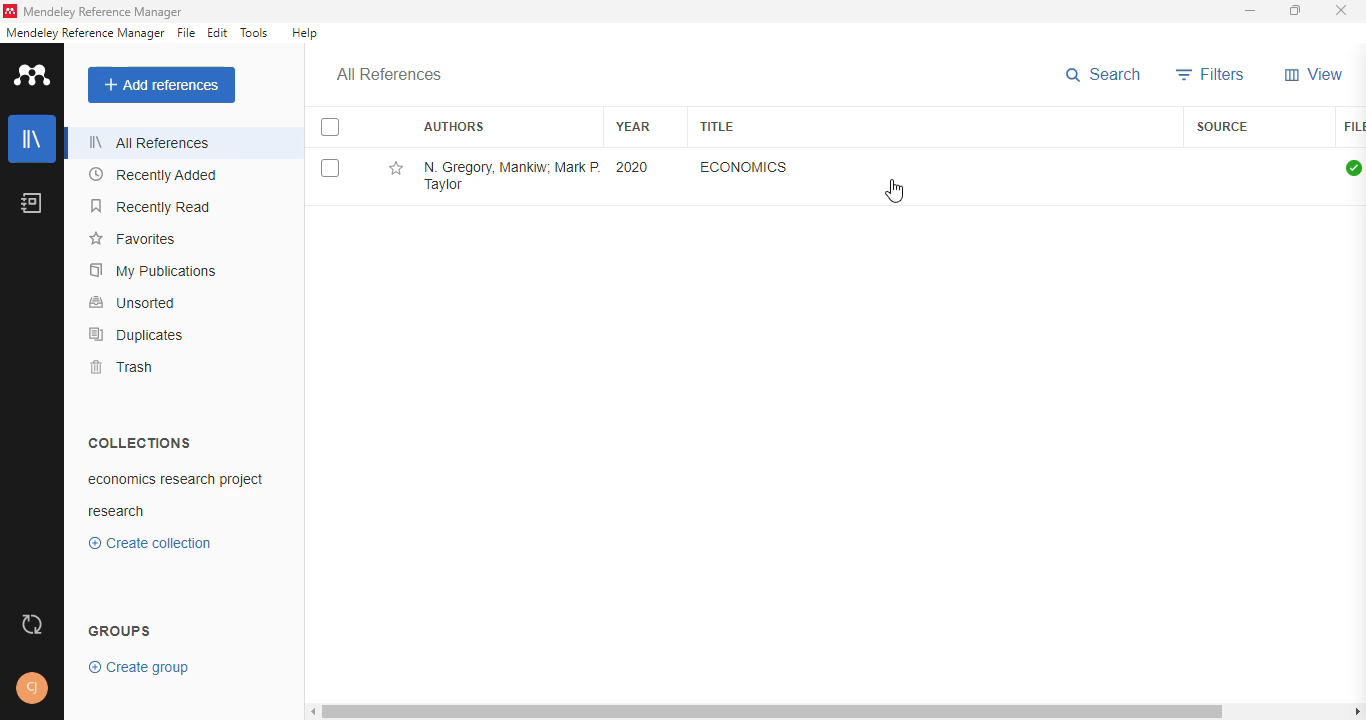 This screenshot has height=720, width=1366. What do you see at coordinates (175, 480) in the screenshot?
I see `economics research project` at bounding box center [175, 480].